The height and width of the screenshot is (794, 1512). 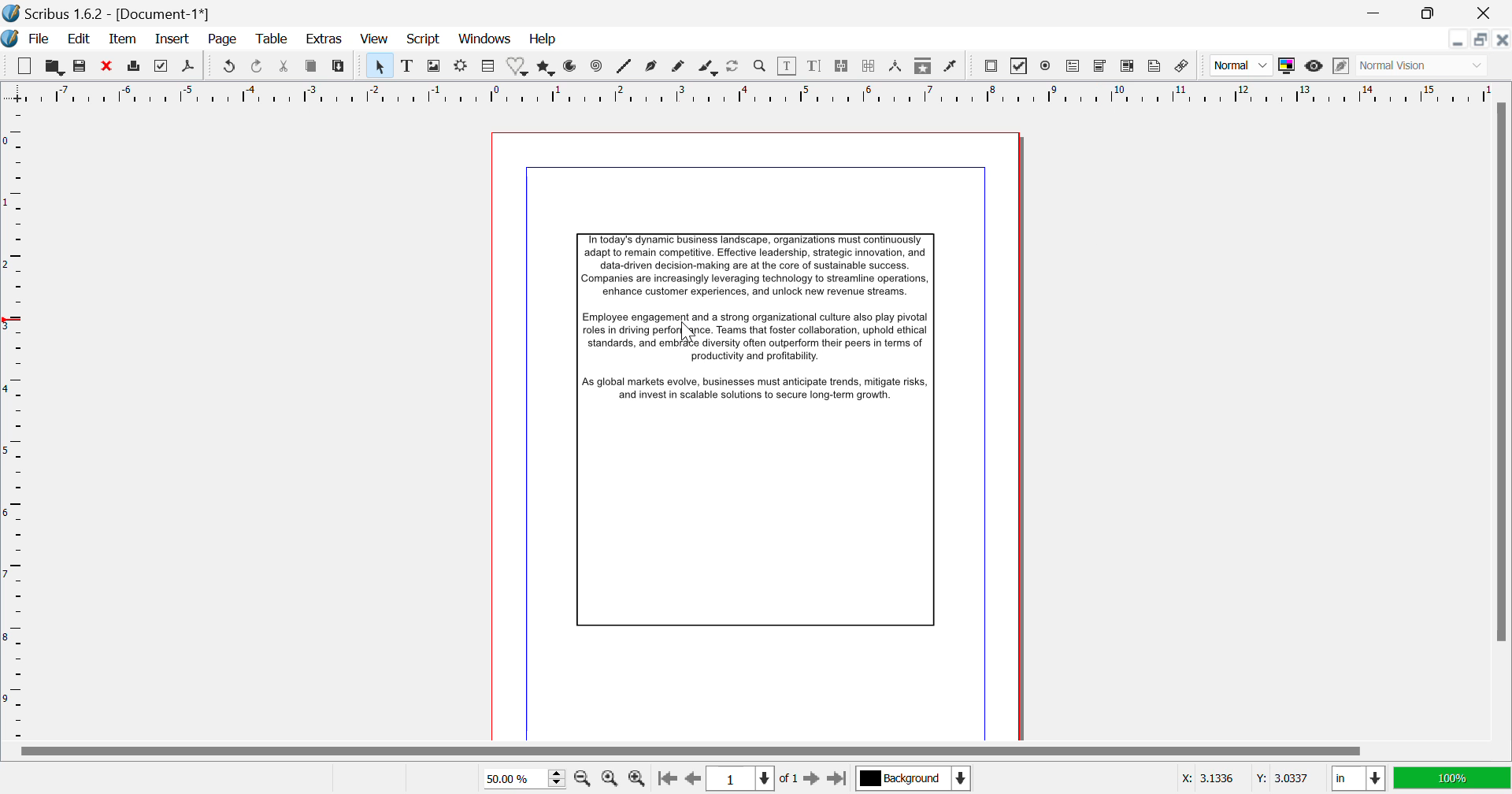 What do you see at coordinates (488, 66) in the screenshot?
I see `Table` at bounding box center [488, 66].